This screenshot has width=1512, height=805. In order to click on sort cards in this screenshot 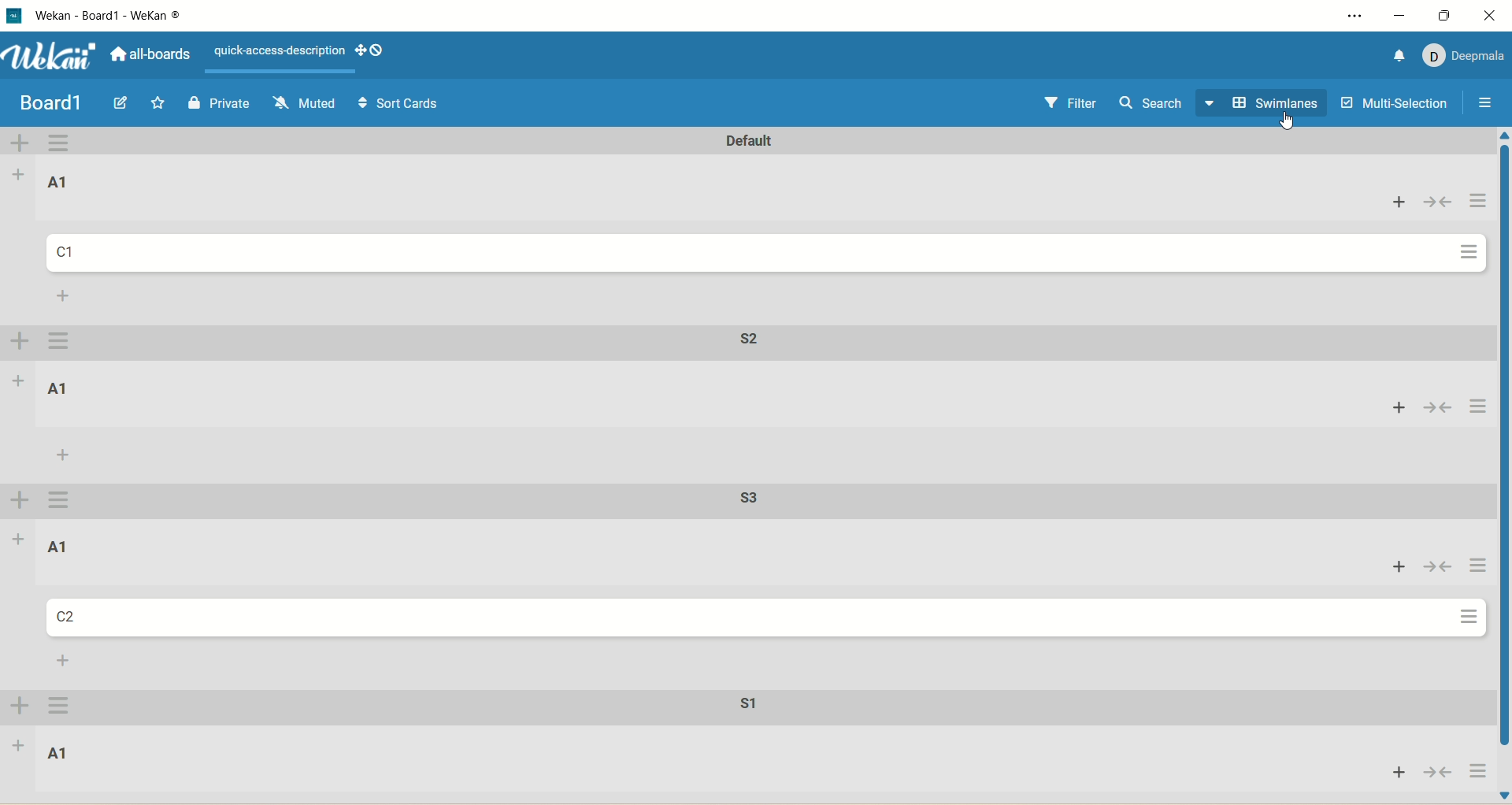, I will do `click(398, 106)`.